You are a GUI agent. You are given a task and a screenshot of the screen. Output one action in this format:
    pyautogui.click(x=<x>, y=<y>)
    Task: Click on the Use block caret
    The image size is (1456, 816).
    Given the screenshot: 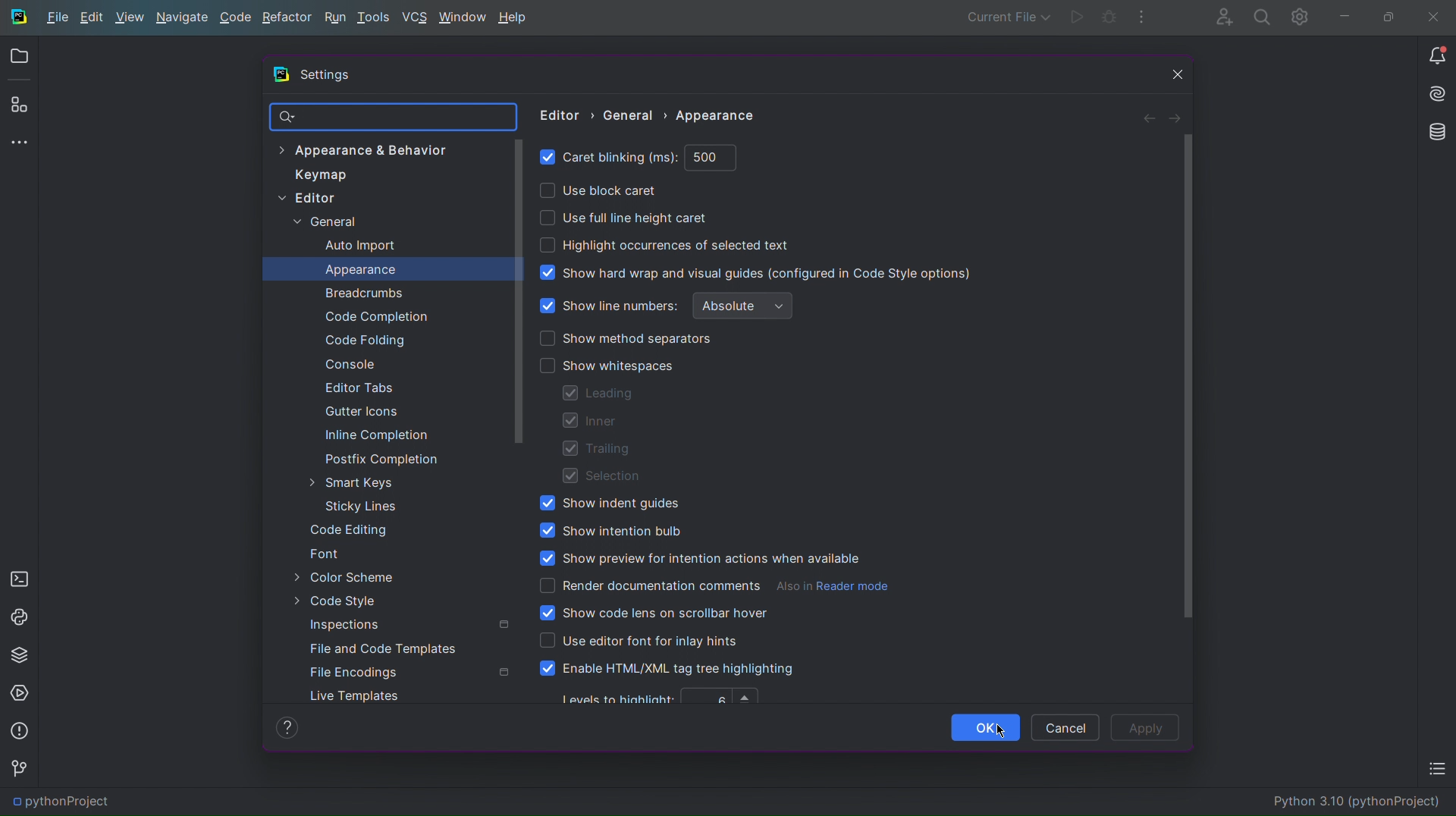 What is the action you would take?
    pyautogui.click(x=598, y=190)
    